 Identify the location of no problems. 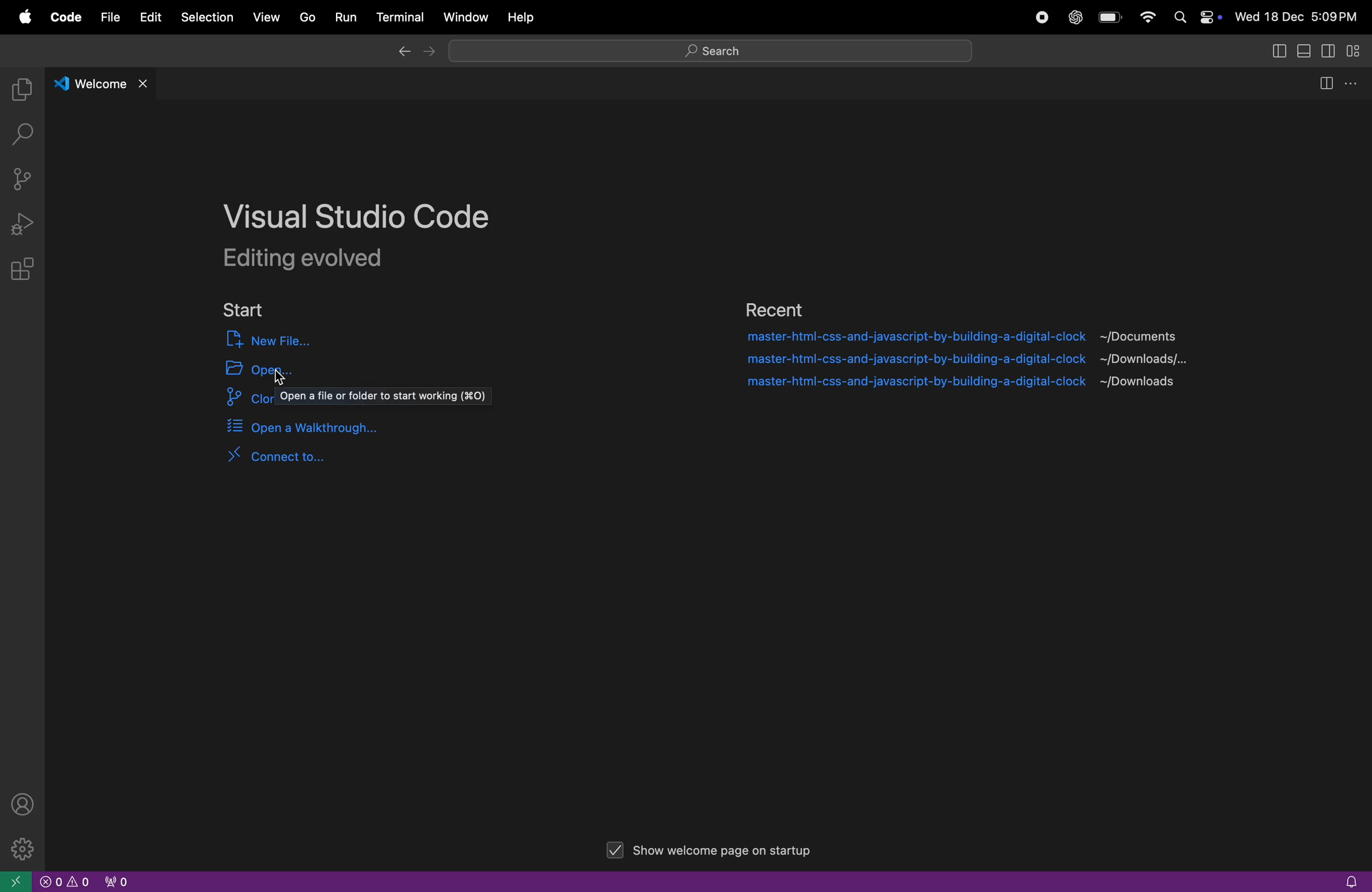
(66, 882).